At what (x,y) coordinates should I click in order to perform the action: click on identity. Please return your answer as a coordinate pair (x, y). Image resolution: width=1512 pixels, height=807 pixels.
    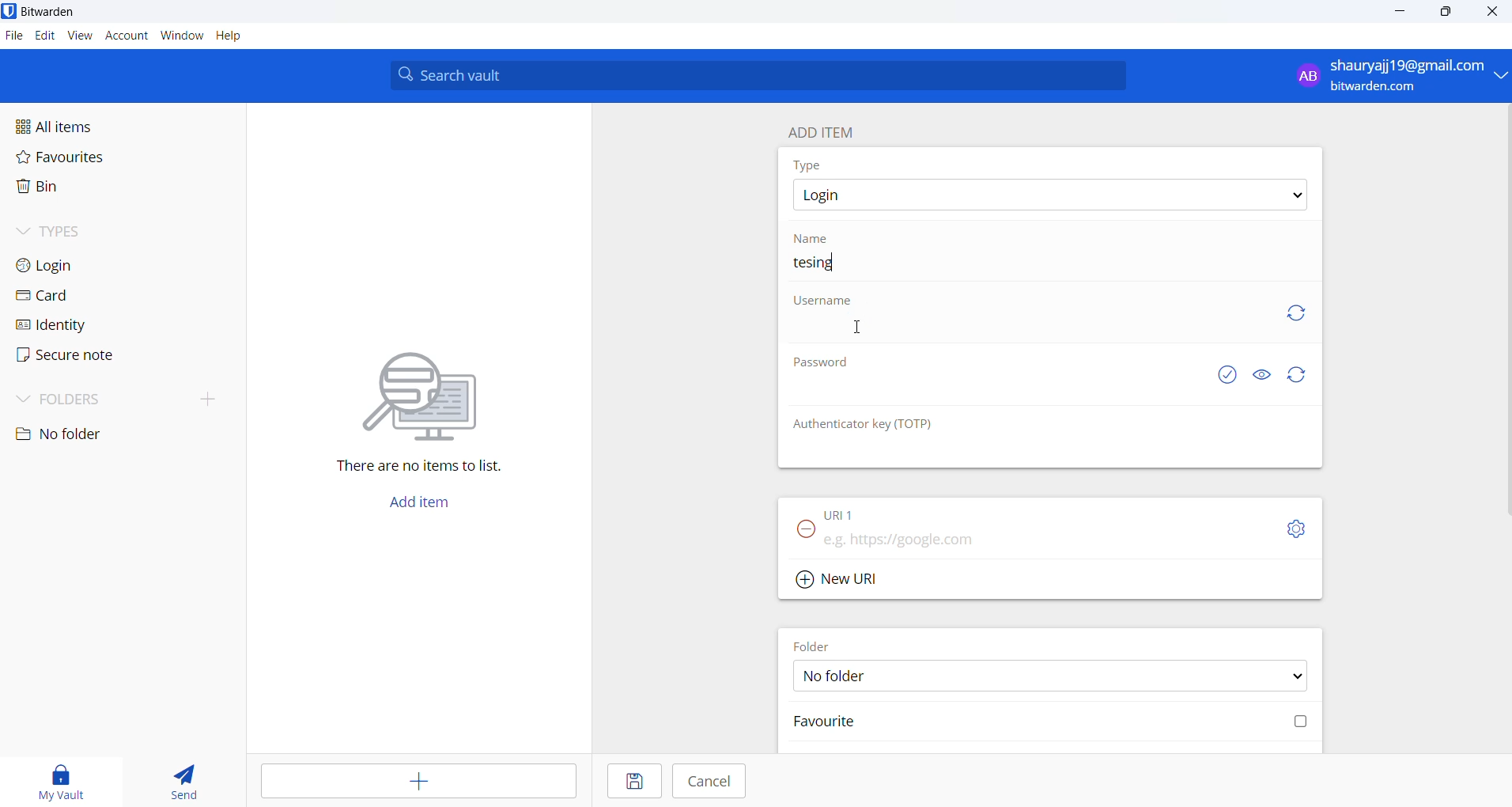
    Looking at the image, I should click on (89, 325).